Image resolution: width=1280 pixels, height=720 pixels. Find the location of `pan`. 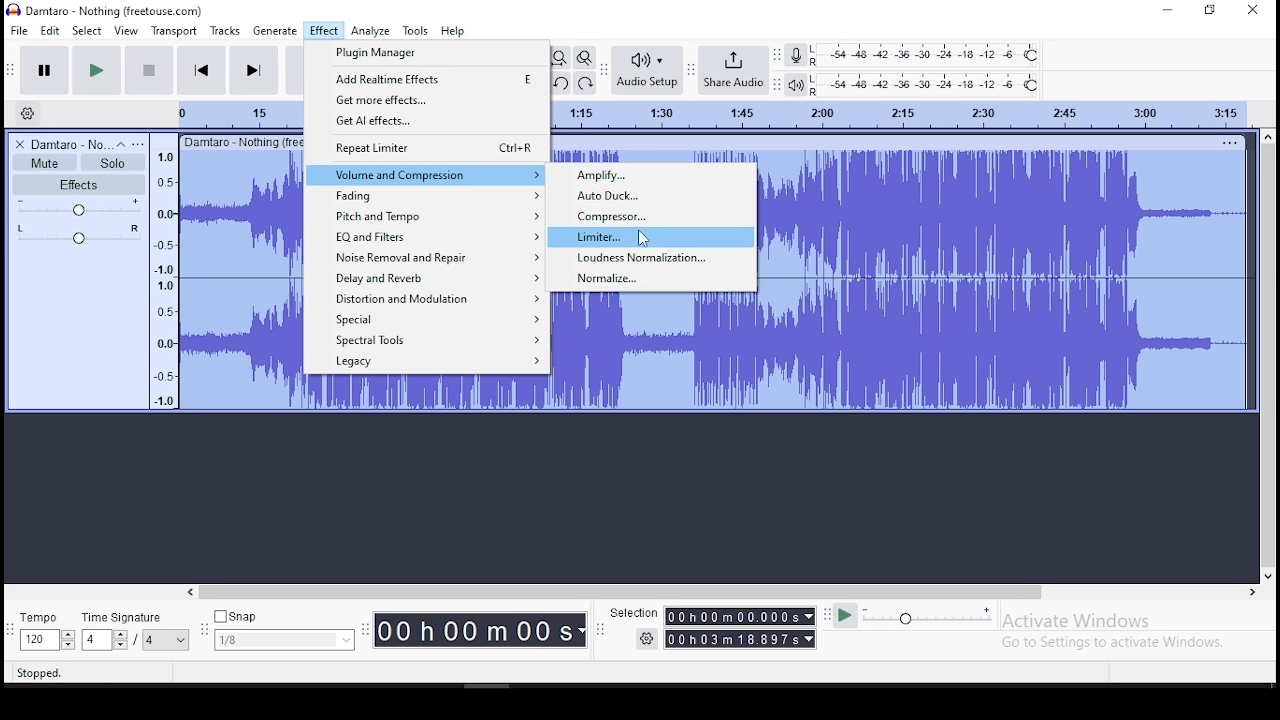

pan is located at coordinates (78, 233).